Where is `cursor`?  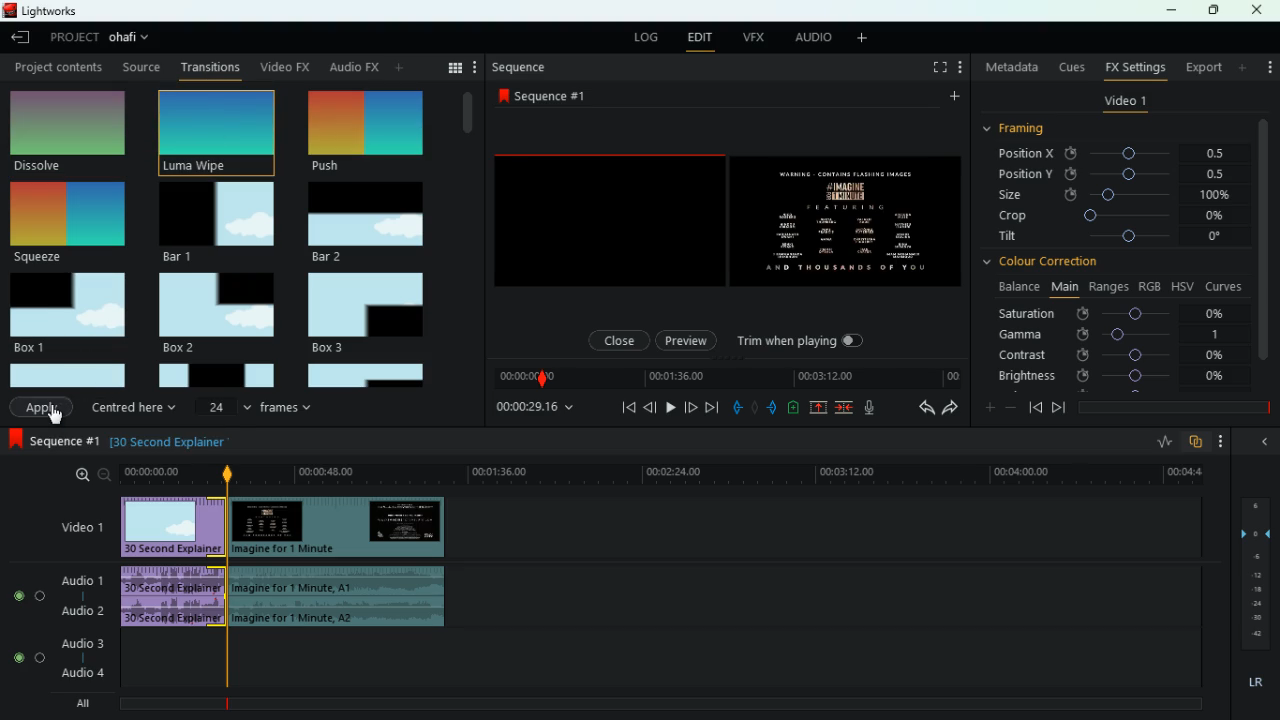 cursor is located at coordinates (55, 416).